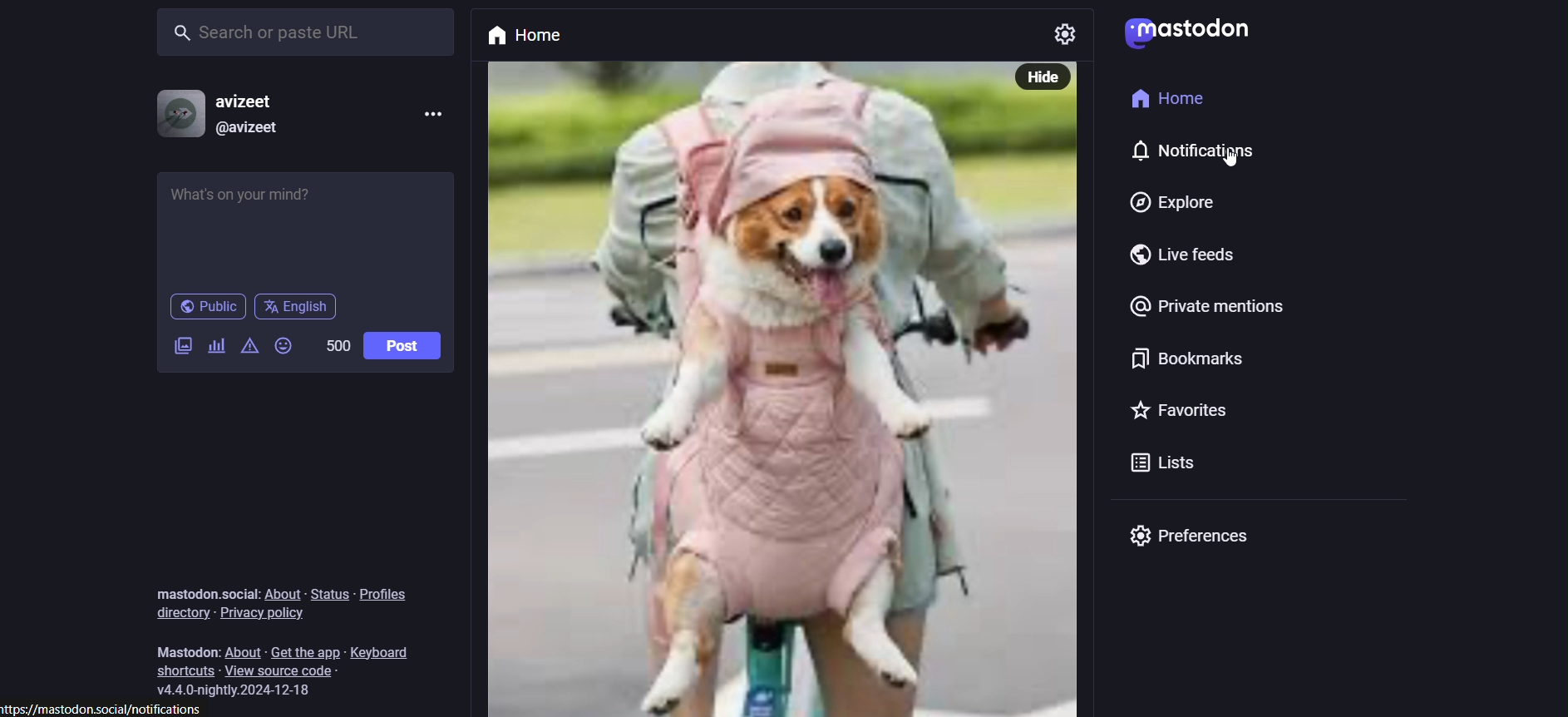 Image resolution: width=1568 pixels, height=717 pixels. Describe the element at coordinates (204, 591) in the screenshot. I see `text` at that location.